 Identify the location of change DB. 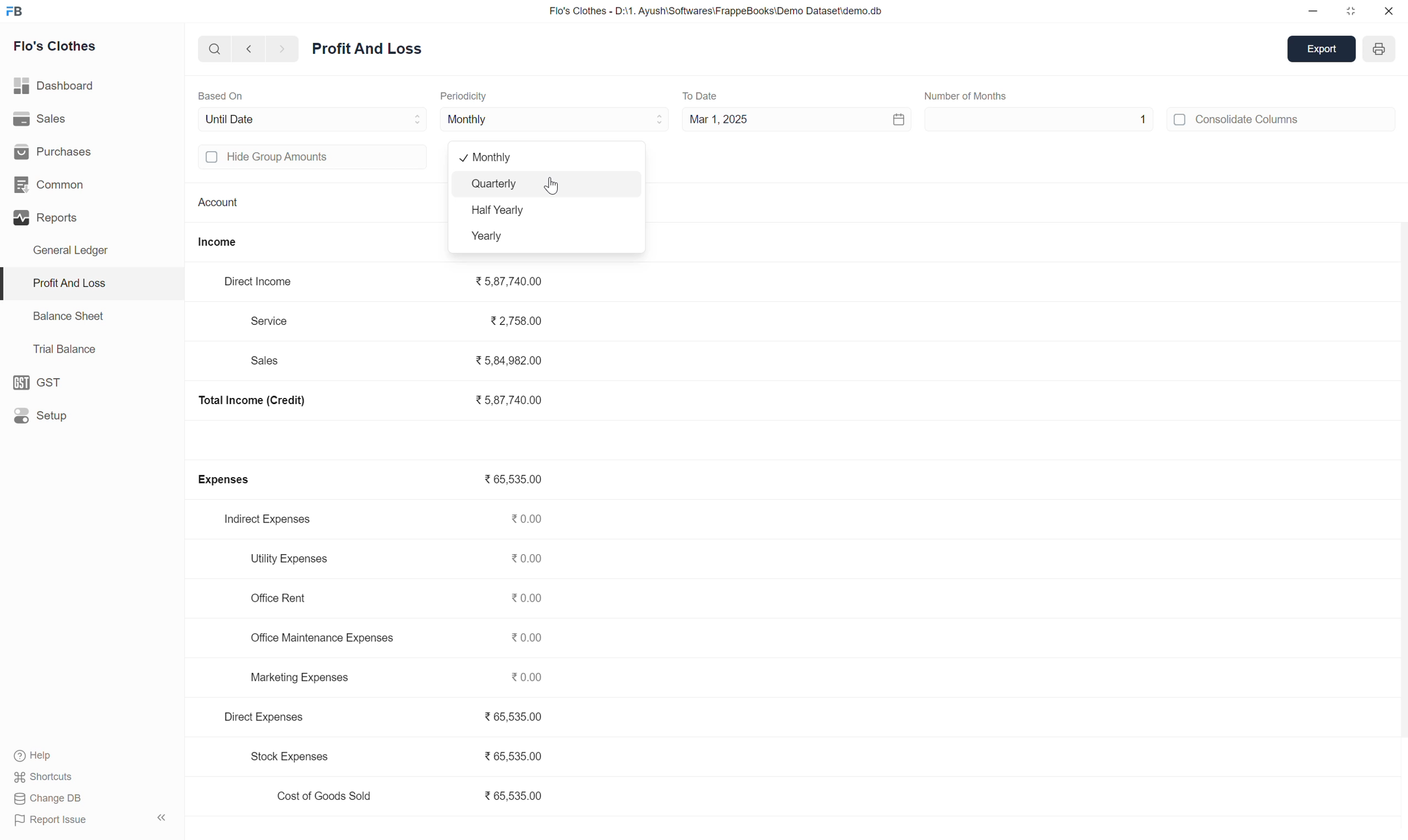
(61, 799).